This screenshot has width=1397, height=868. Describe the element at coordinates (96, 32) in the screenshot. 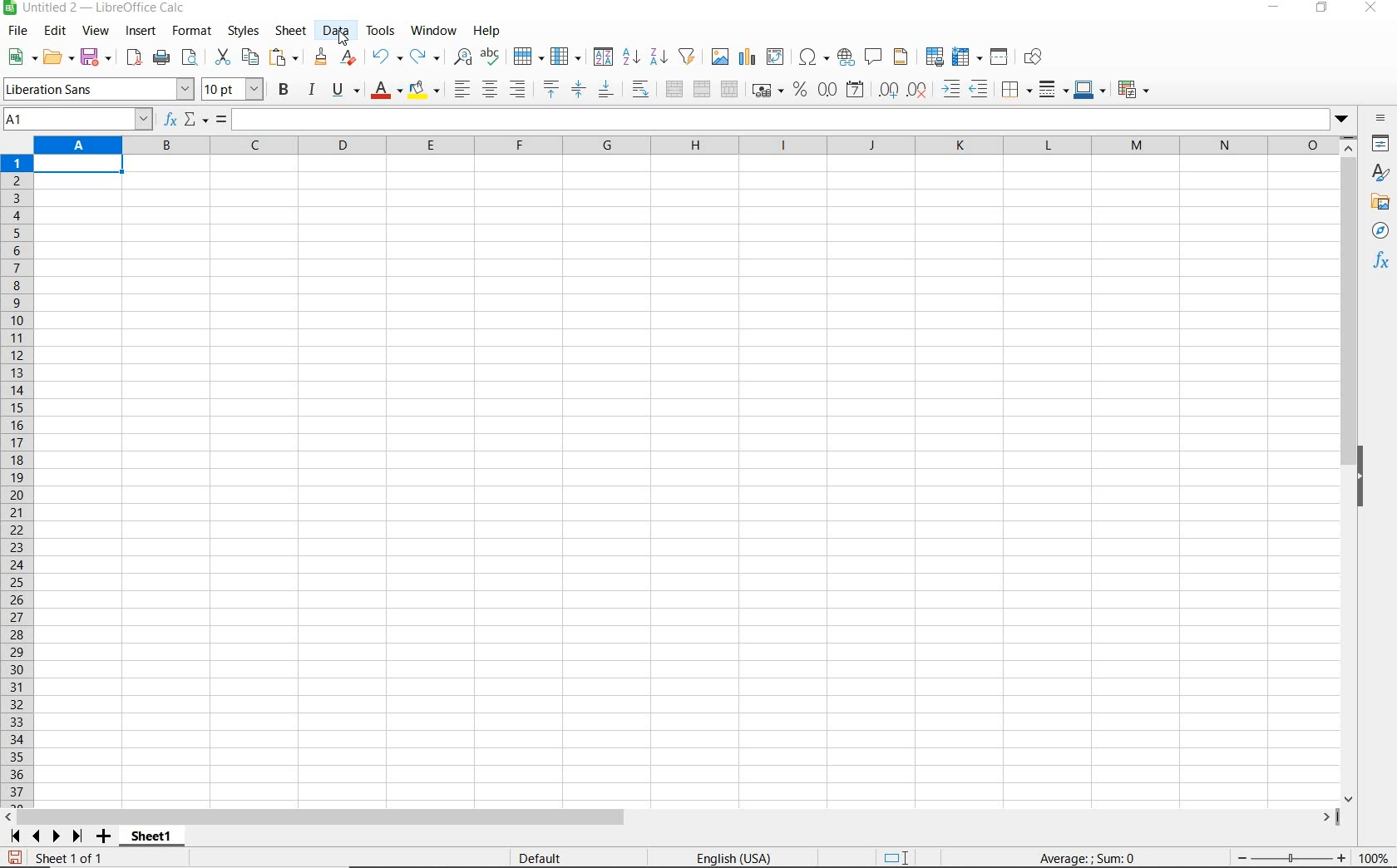

I see `view` at that location.